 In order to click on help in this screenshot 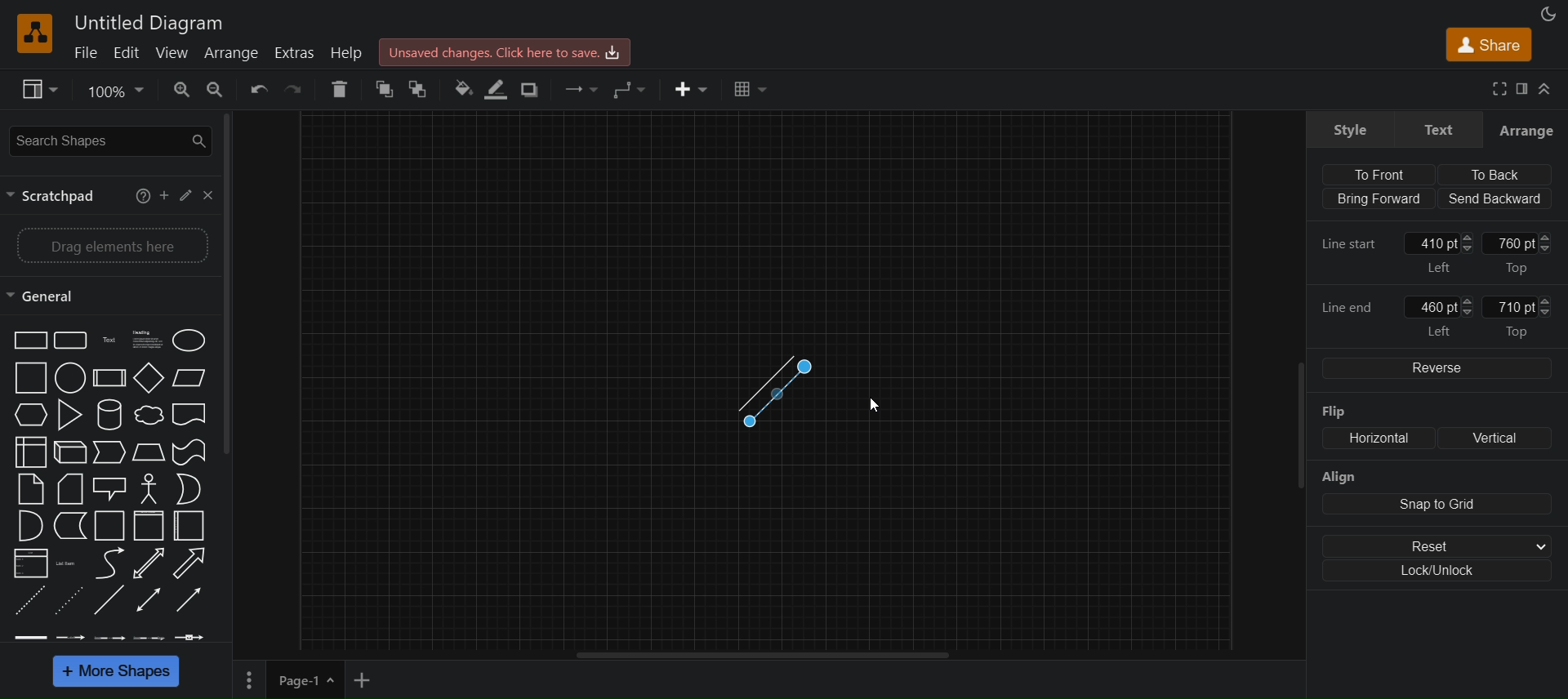, I will do `click(137, 195)`.